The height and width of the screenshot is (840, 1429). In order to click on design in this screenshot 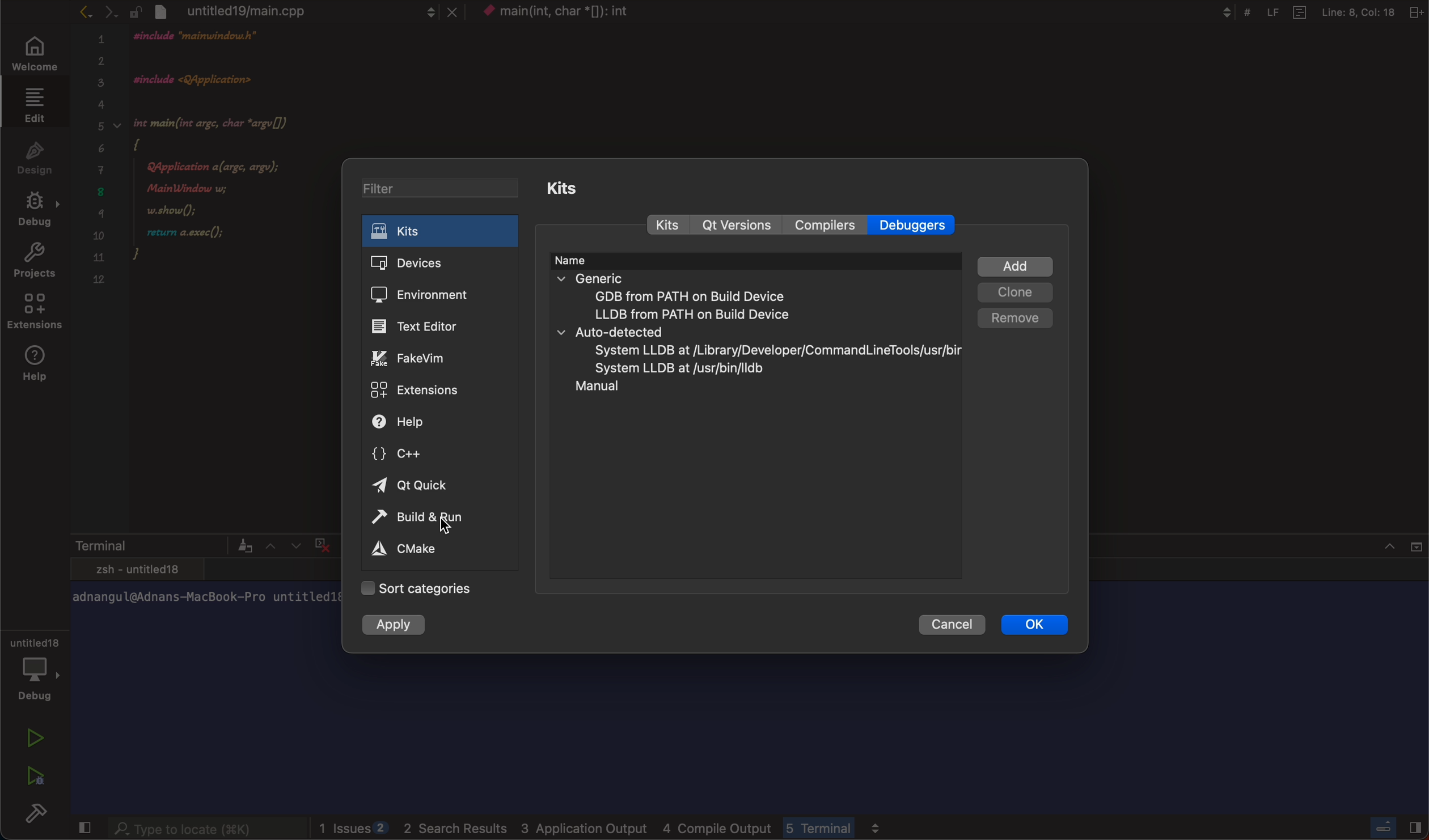, I will do `click(36, 155)`.